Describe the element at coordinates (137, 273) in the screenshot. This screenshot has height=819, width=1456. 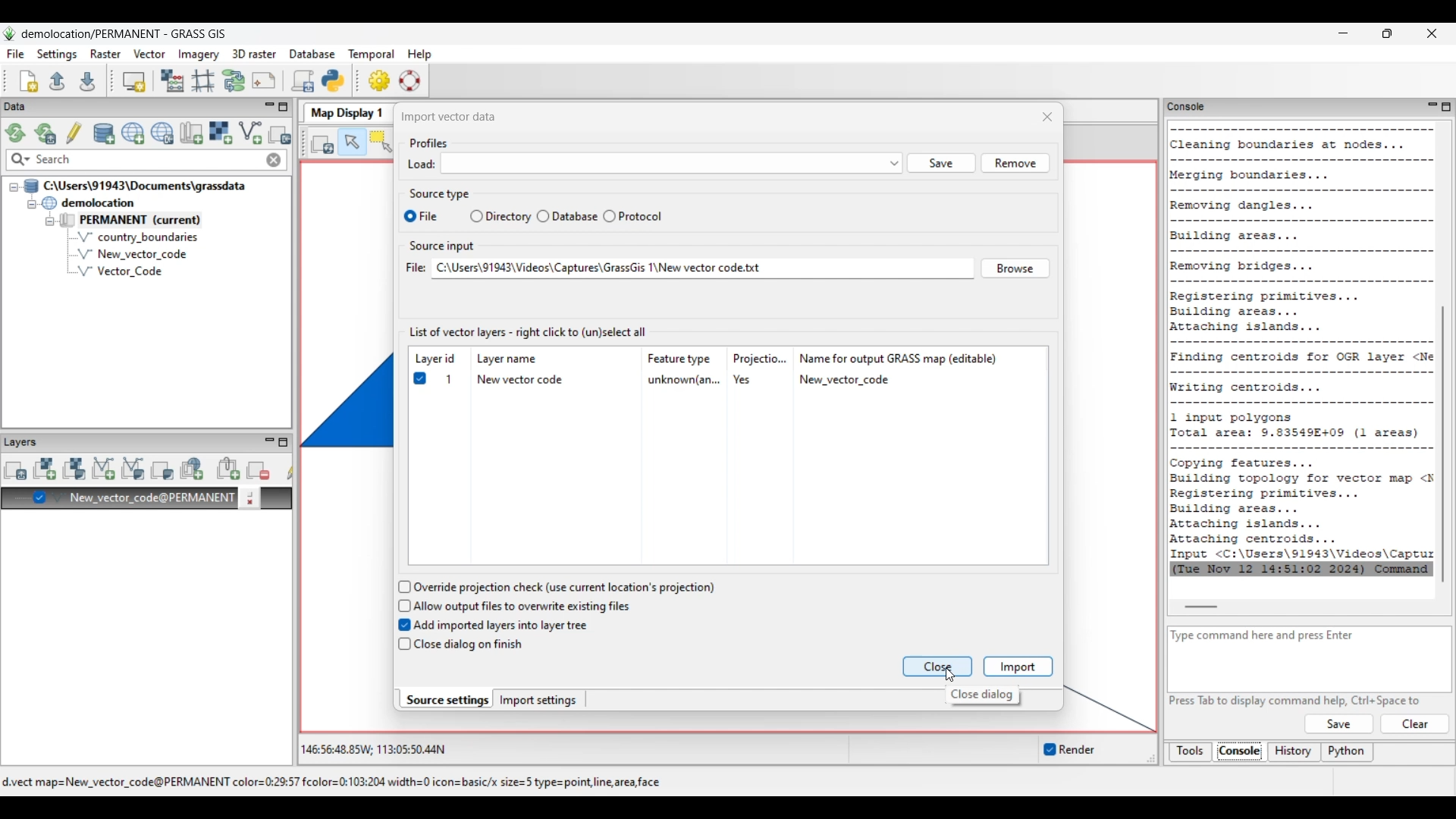
I see `Vector code` at that location.